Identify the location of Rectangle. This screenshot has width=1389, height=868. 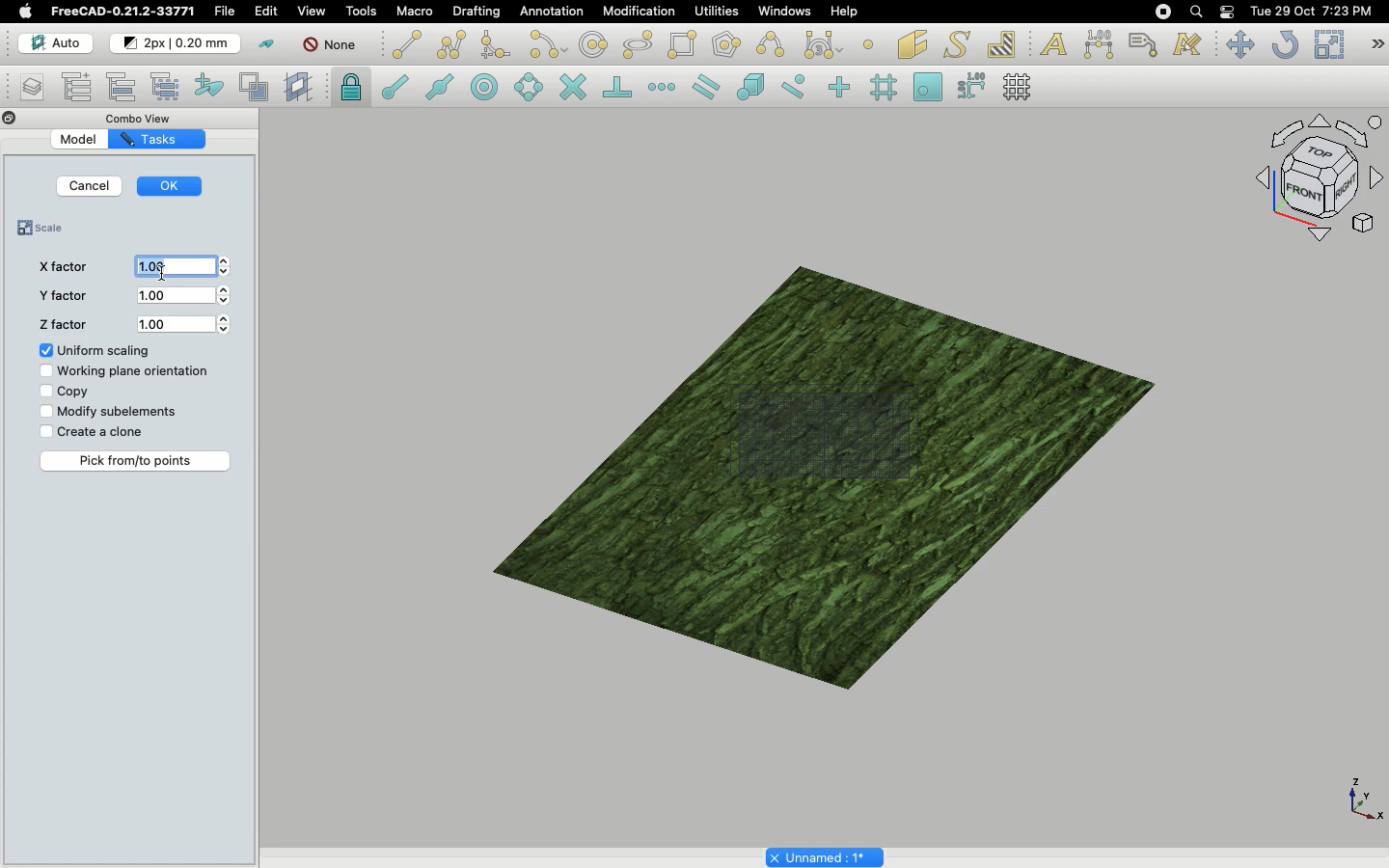
(681, 44).